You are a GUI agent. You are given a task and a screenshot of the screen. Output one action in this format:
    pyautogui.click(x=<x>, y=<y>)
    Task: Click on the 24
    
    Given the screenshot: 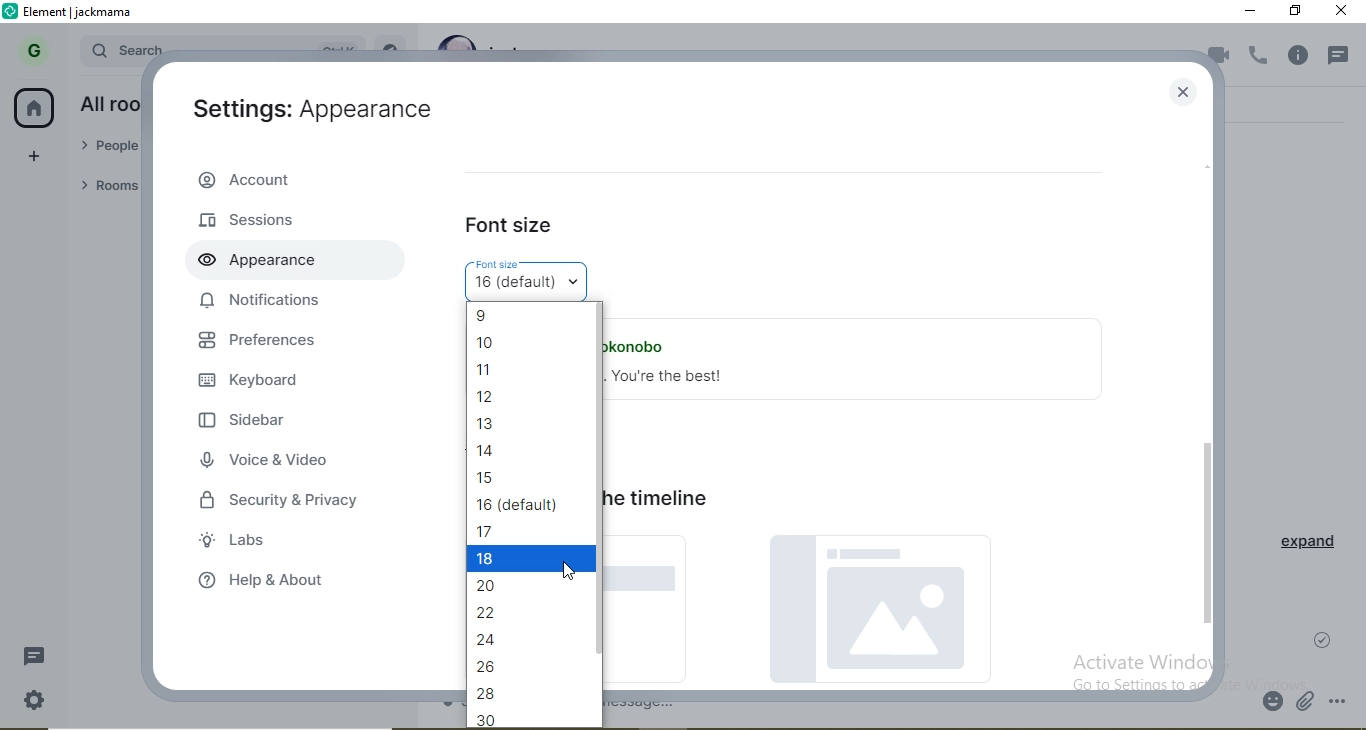 What is the action you would take?
    pyautogui.click(x=521, y=637)
    